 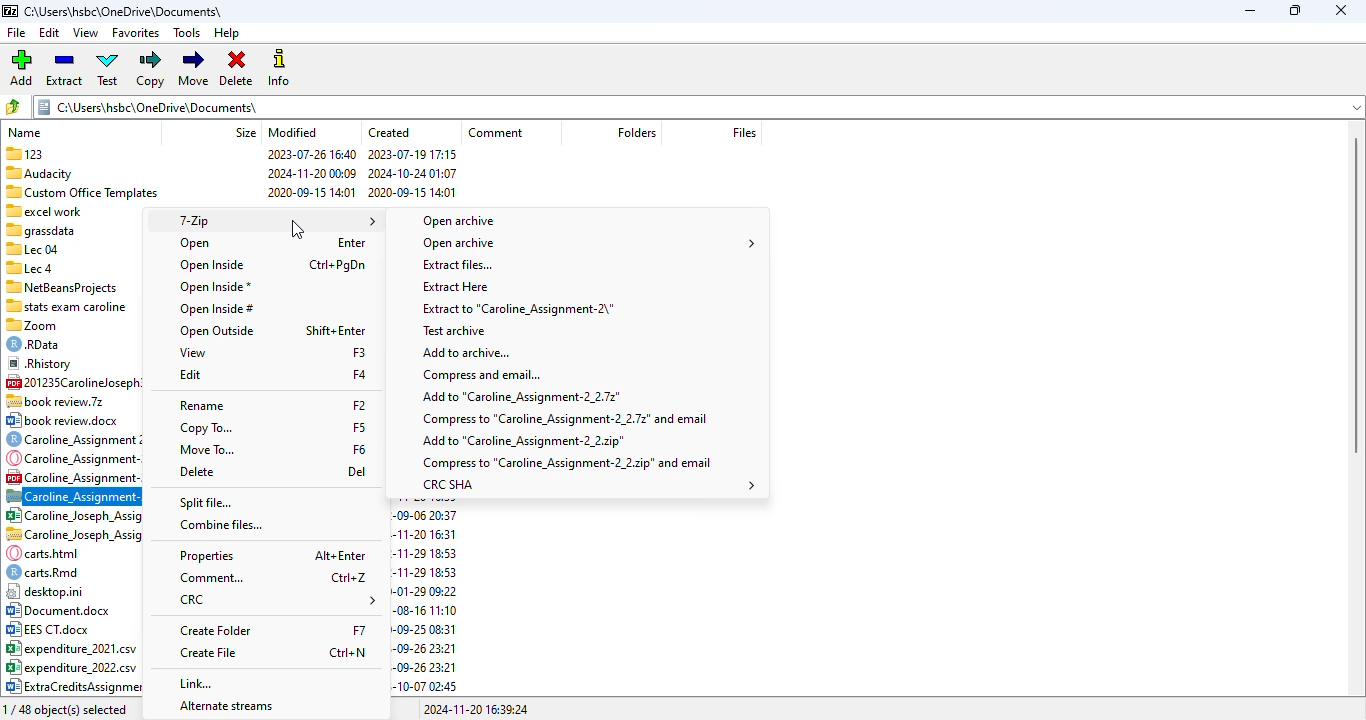 I want to click on B32 EES CT.doox 16886 2020-08-27 13:43 2020-09-25 08:31, so click(x=74, y=628).